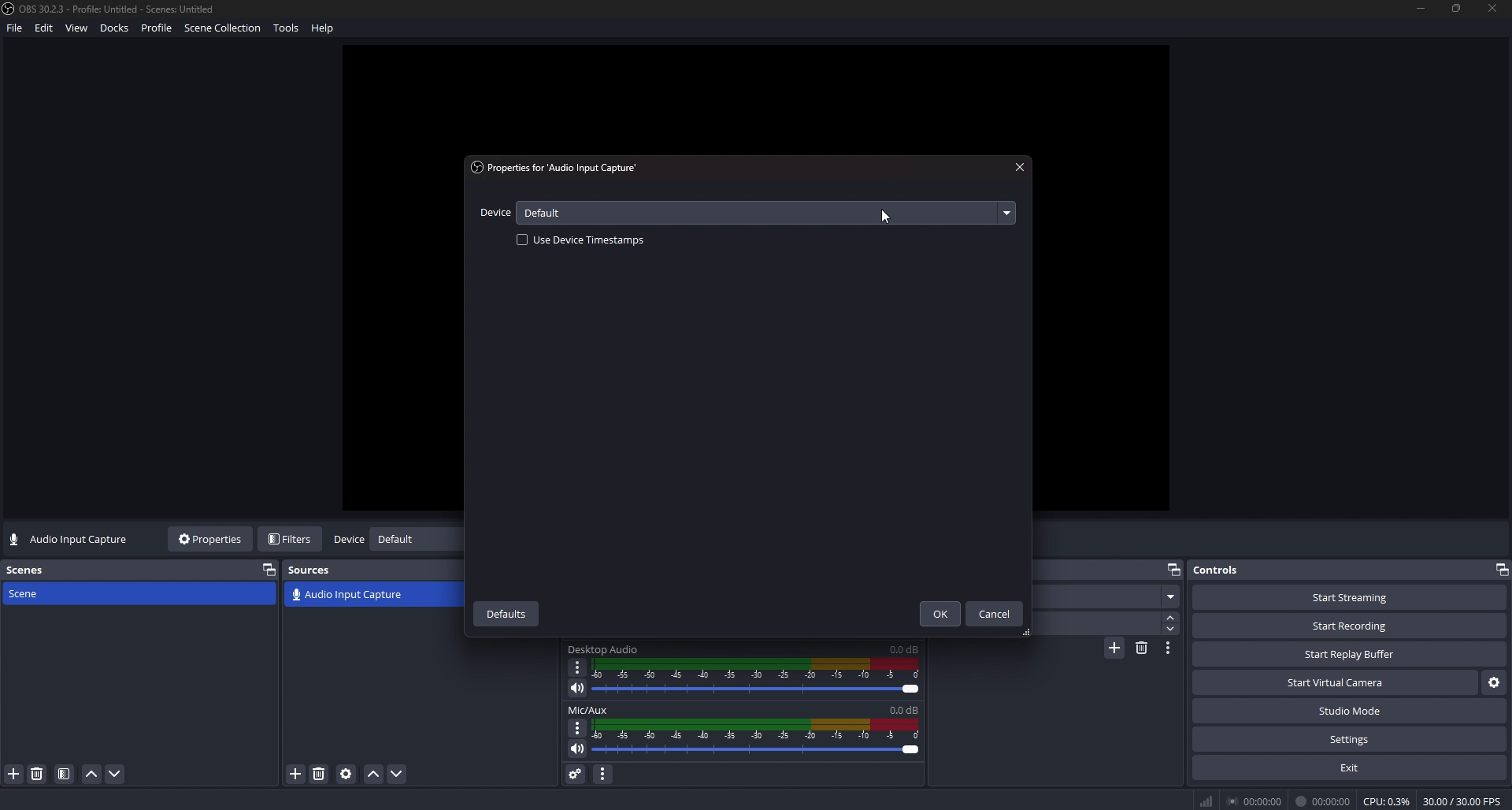 The image size is (1512, 810). I want to click on tools, so click(290, 31).